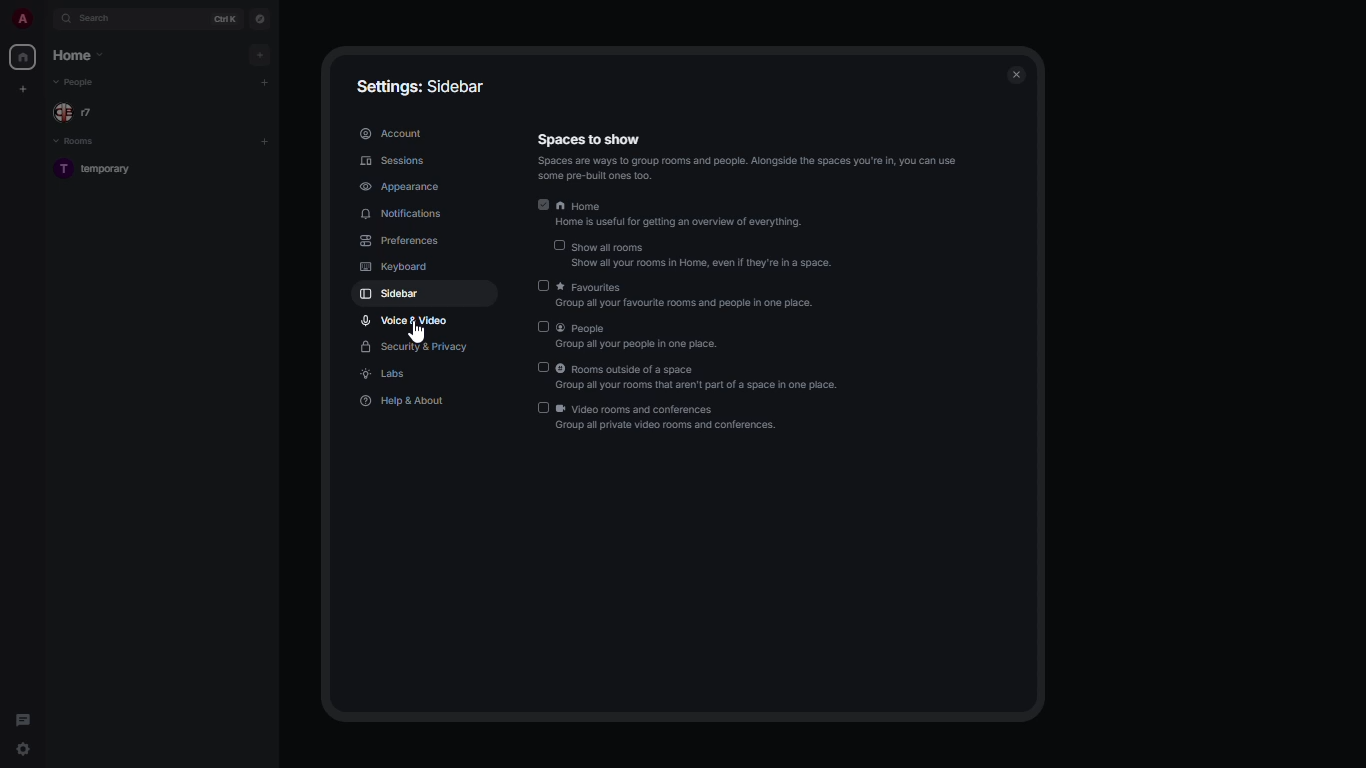 The image size is (1366, 768). I want to click on show all rooms, so click(707, 256).